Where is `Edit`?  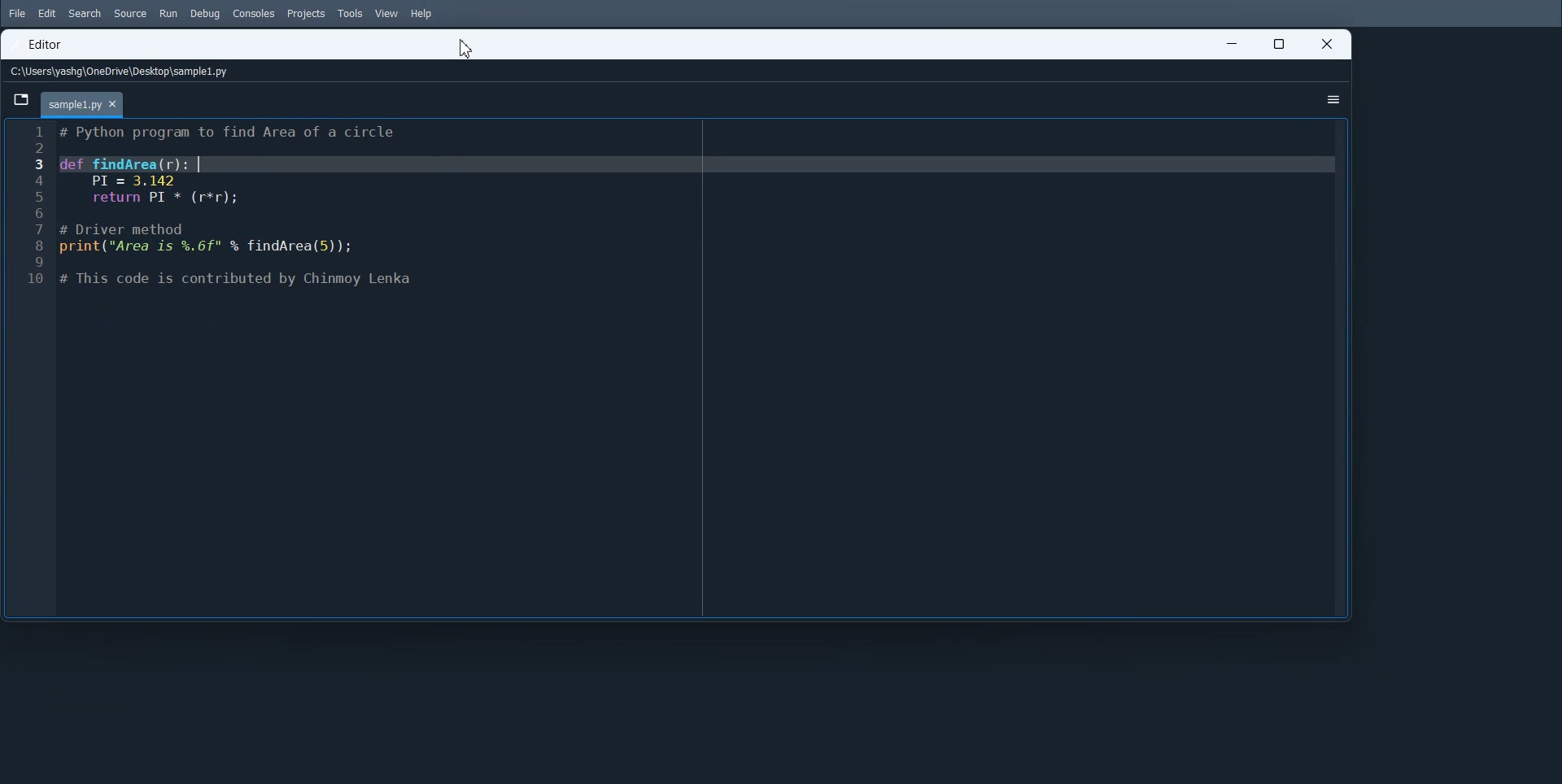
Edit is located at coordinates (46, 14).